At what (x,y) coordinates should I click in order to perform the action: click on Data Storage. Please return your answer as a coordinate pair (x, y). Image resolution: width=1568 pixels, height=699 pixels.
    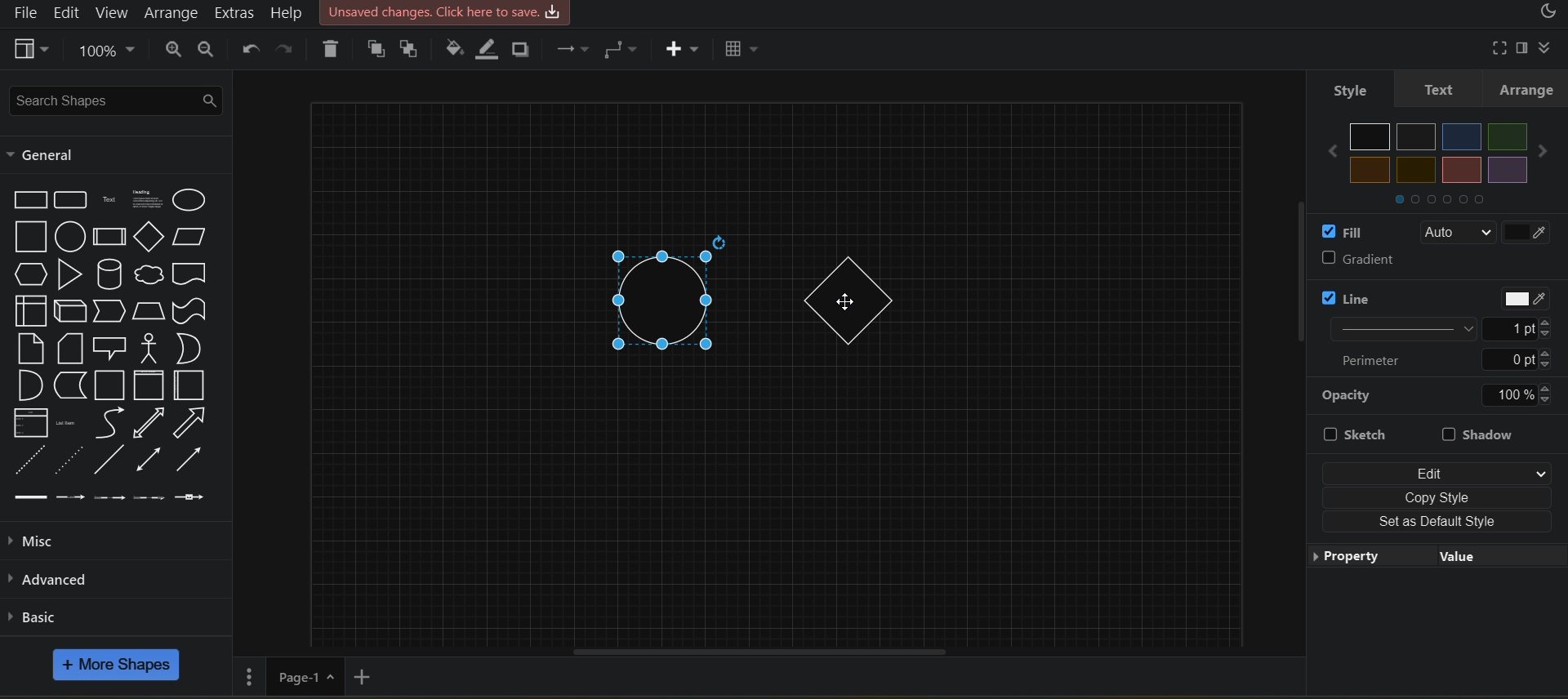
    Looking at the image, I should click on (69, 385).